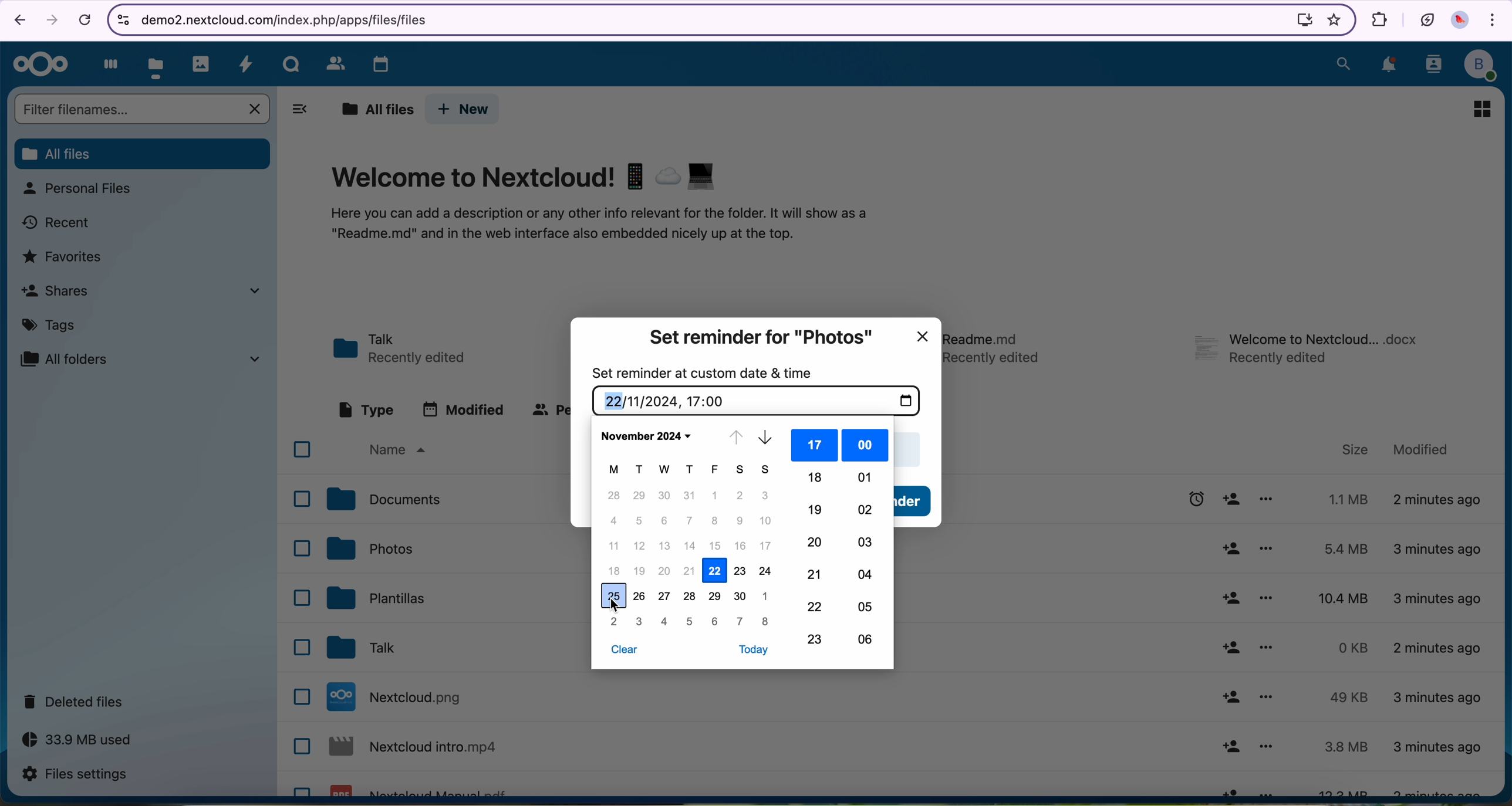 The image size is (1512, 806). Describe the element at coordinates (665, 621) in the screenshot. I see `4` at that location.